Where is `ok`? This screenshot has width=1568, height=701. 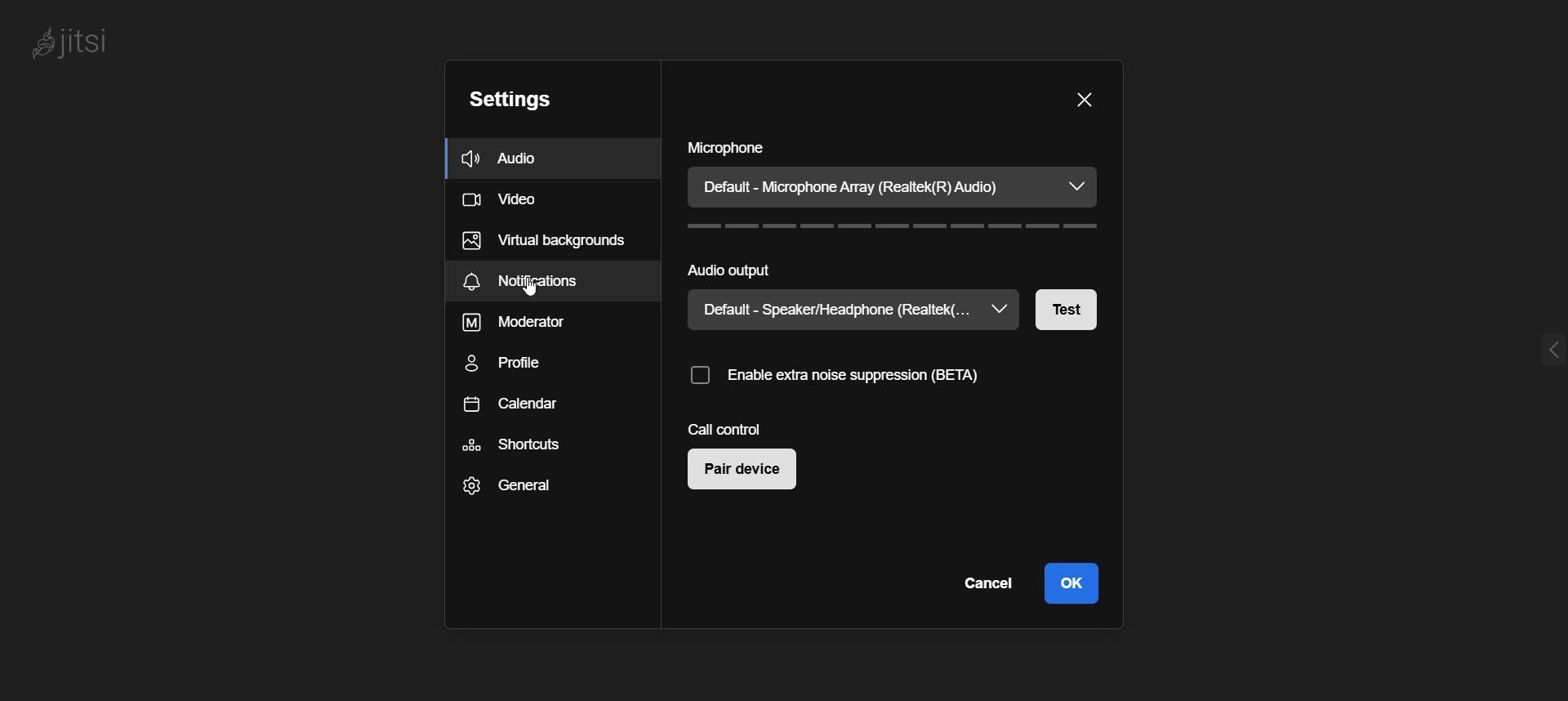 ok is located at coordinates (1071, 583).